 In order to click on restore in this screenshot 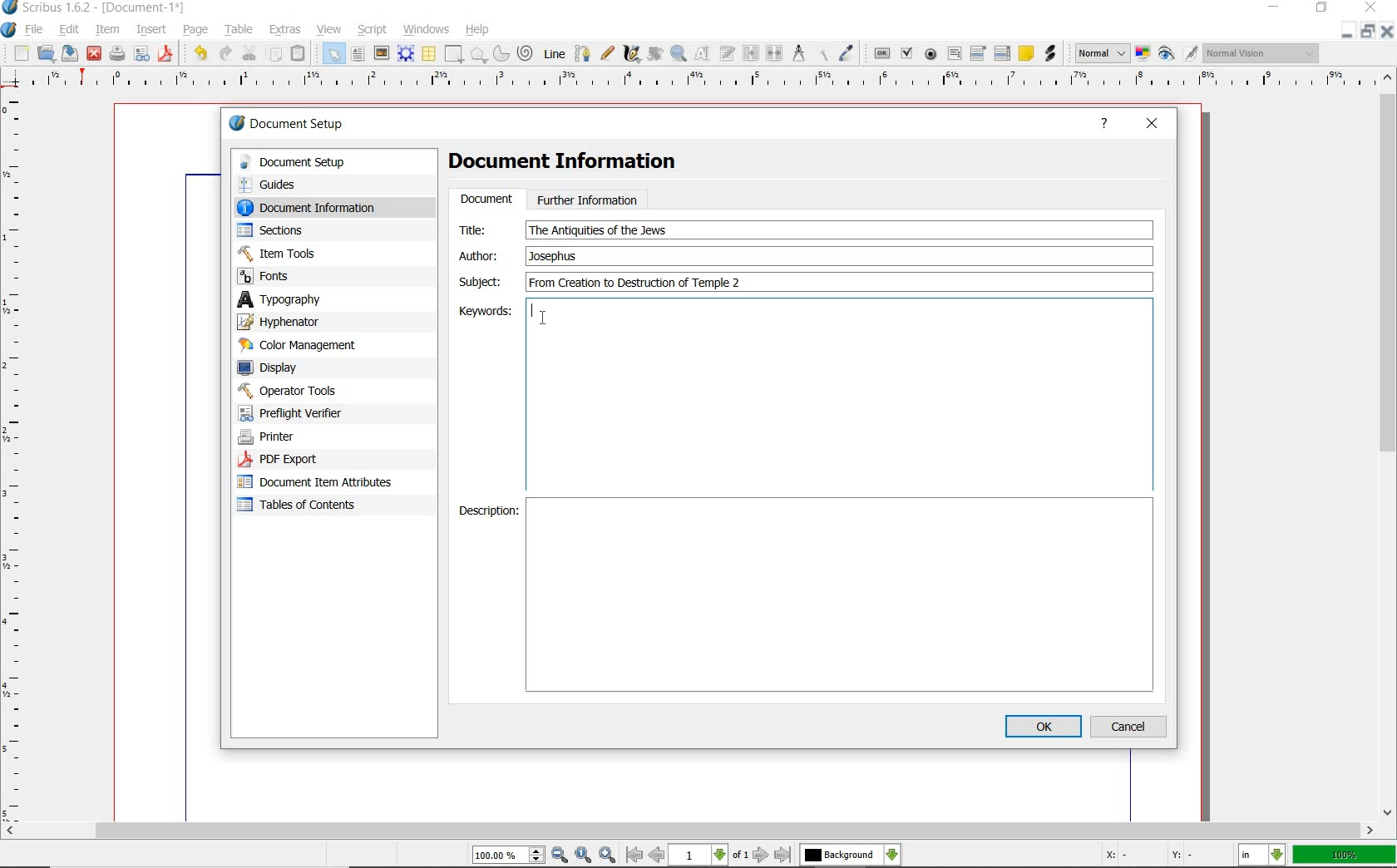, I will do `click(1365, 31)`.